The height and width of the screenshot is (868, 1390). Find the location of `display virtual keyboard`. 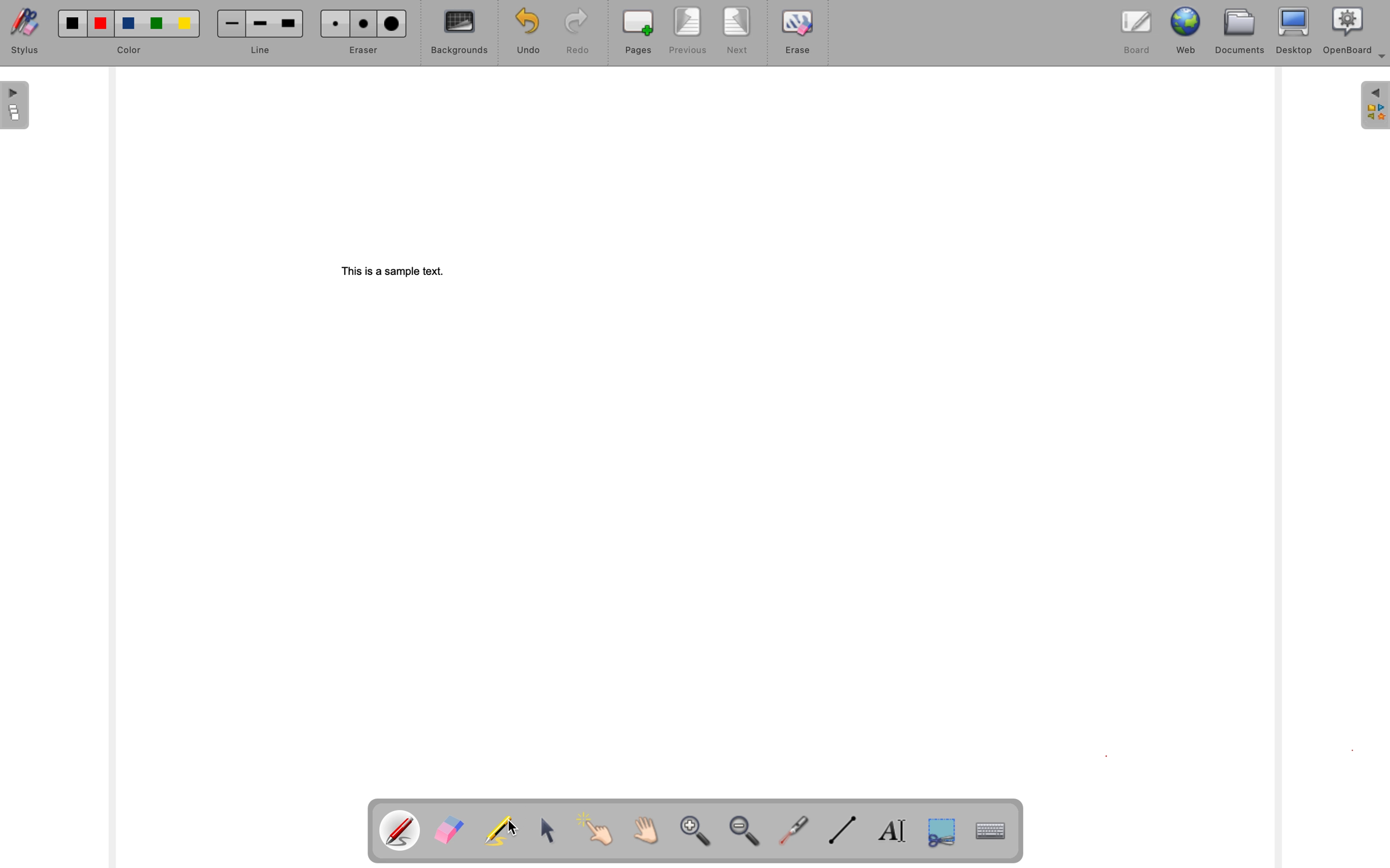

display virtual keyboard is located at coordinates (989, 829).